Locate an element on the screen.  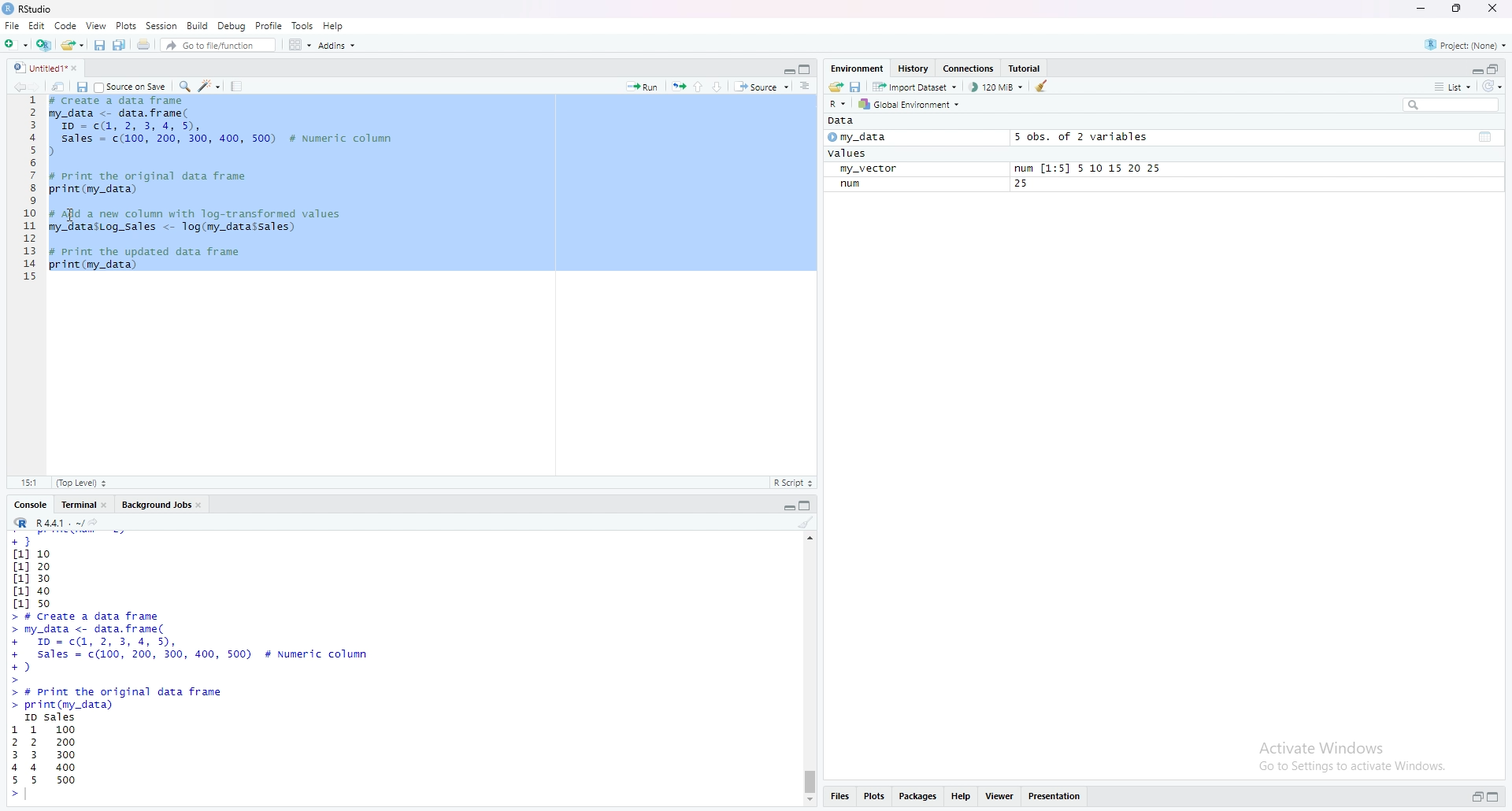
values is located at coordinates (847, 154).